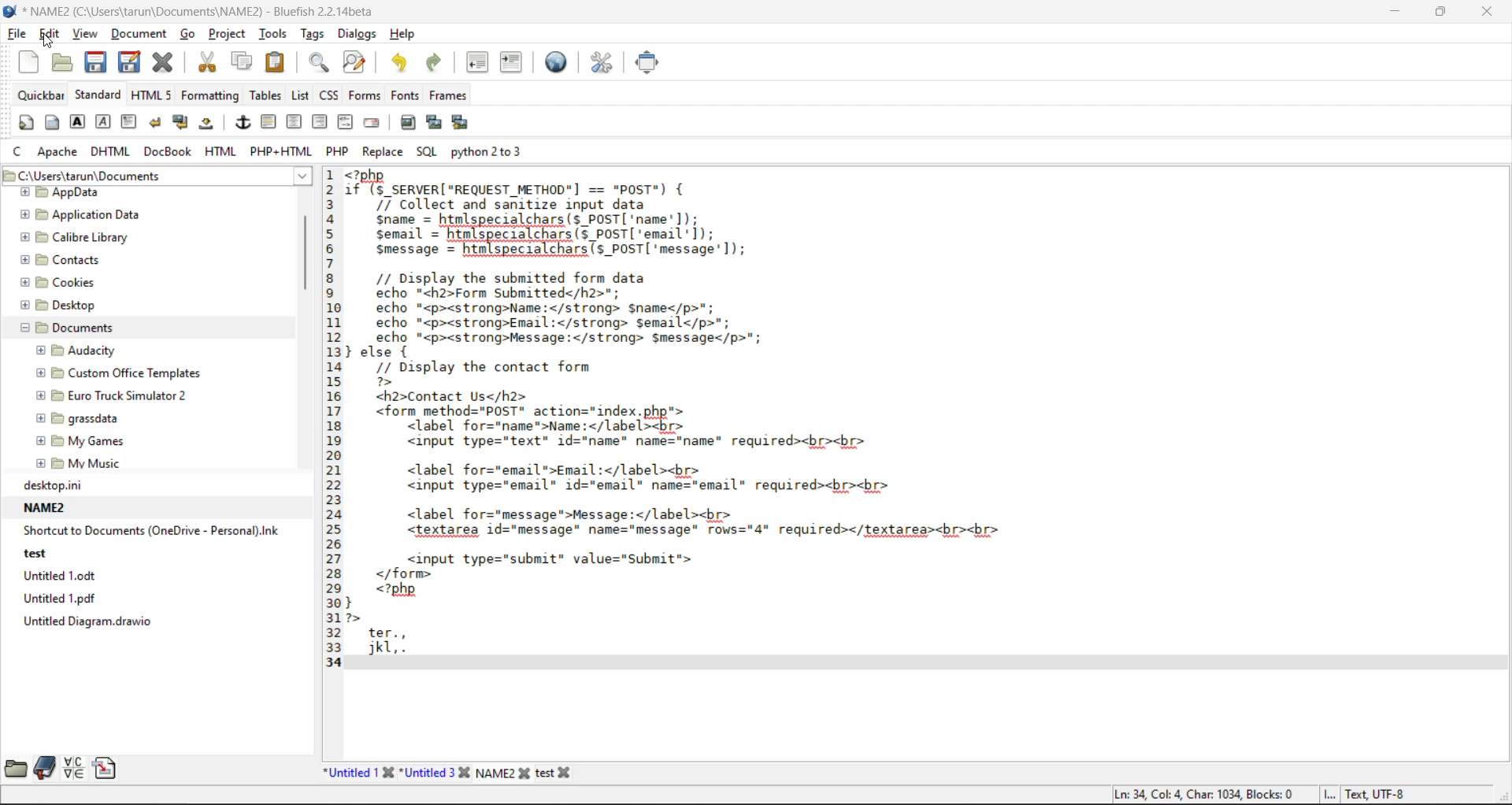 The height and width of the screenshot is (805, 1512). I want to click on css, so click(324, 95).